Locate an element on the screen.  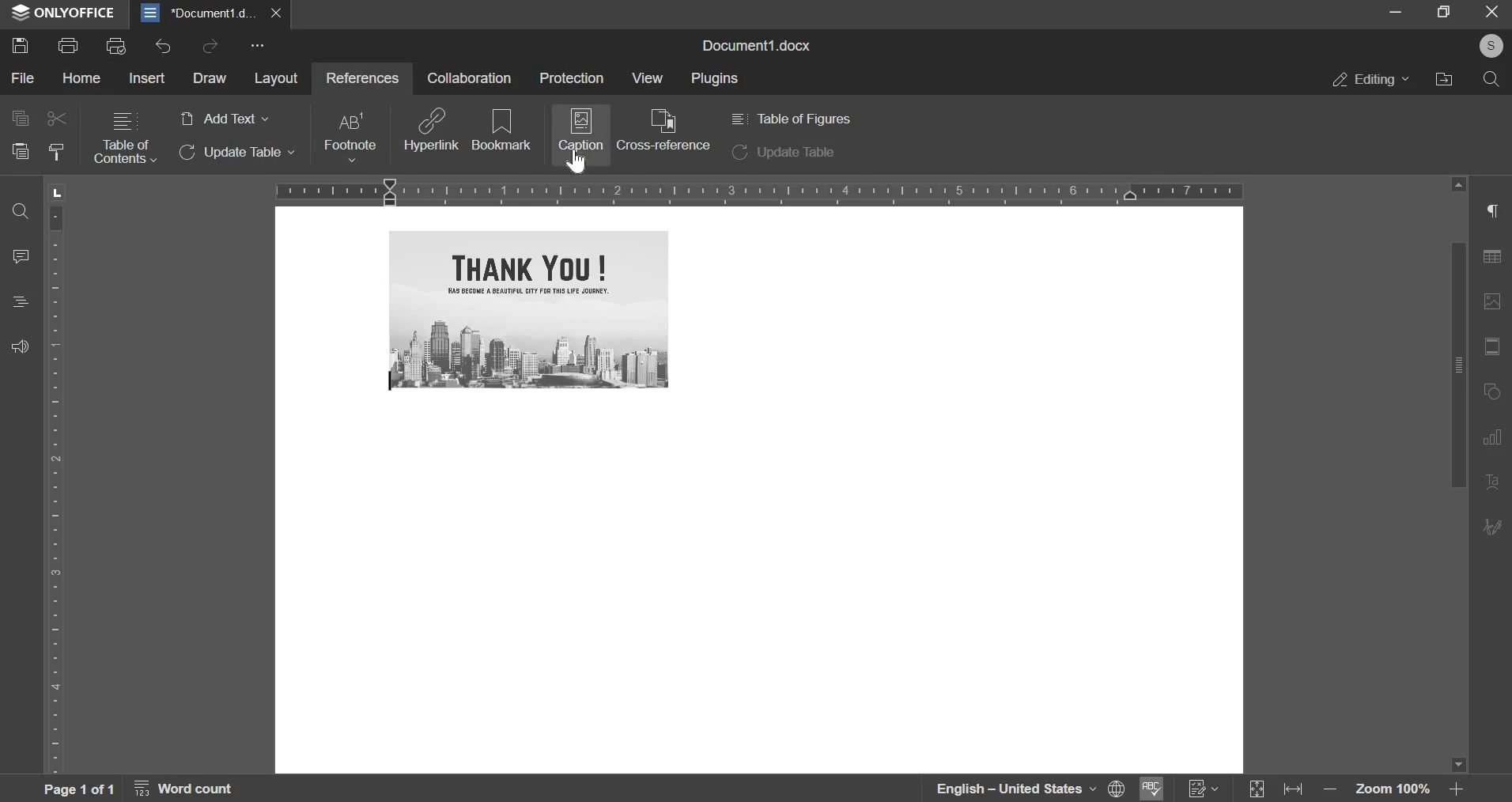
draw is located at coordinates (209, 78).